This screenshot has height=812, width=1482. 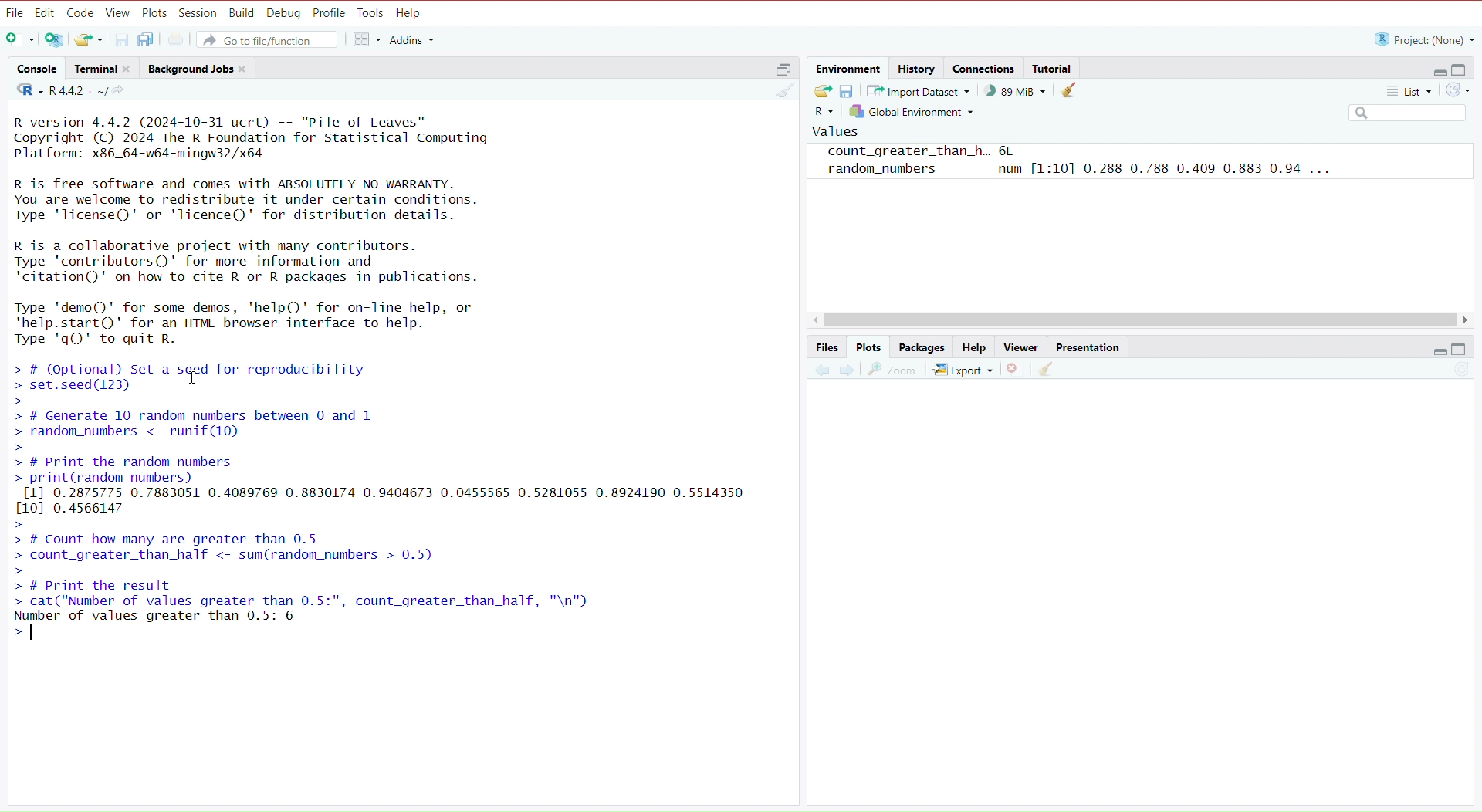 I want to click on Workspace panes, so click(x=365, y=41).